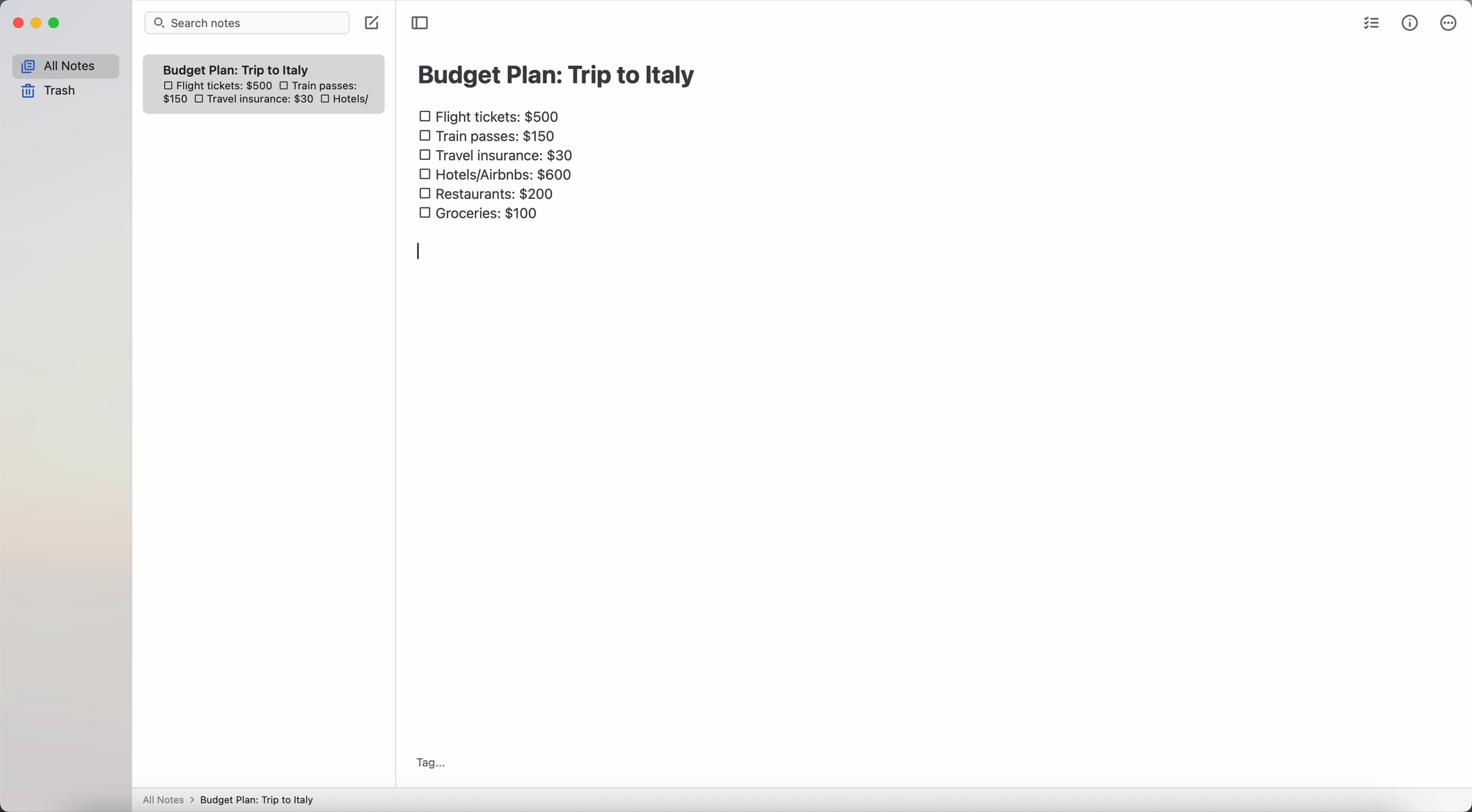  What do you see at coordinates (57, 23) in the screenshot?
I see `maximize` at bounding box center [57, 23].